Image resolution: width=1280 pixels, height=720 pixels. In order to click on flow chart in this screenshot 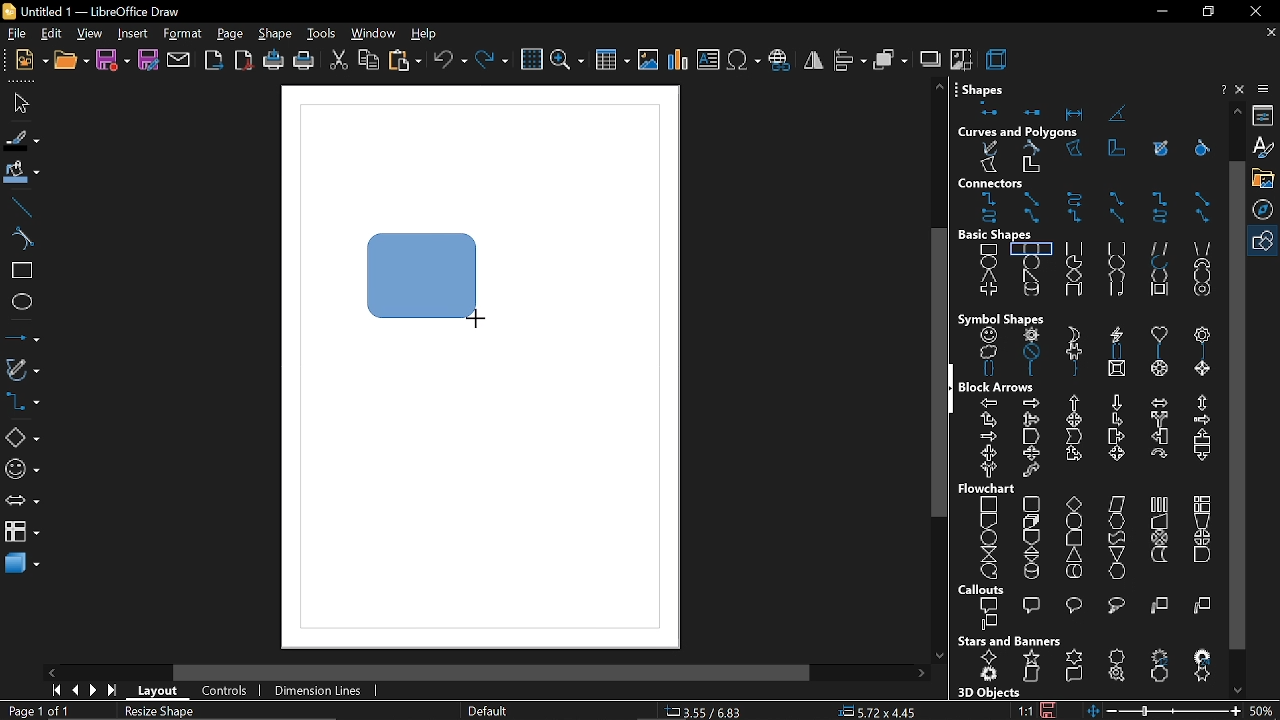, I will do `click(990, 489)`.